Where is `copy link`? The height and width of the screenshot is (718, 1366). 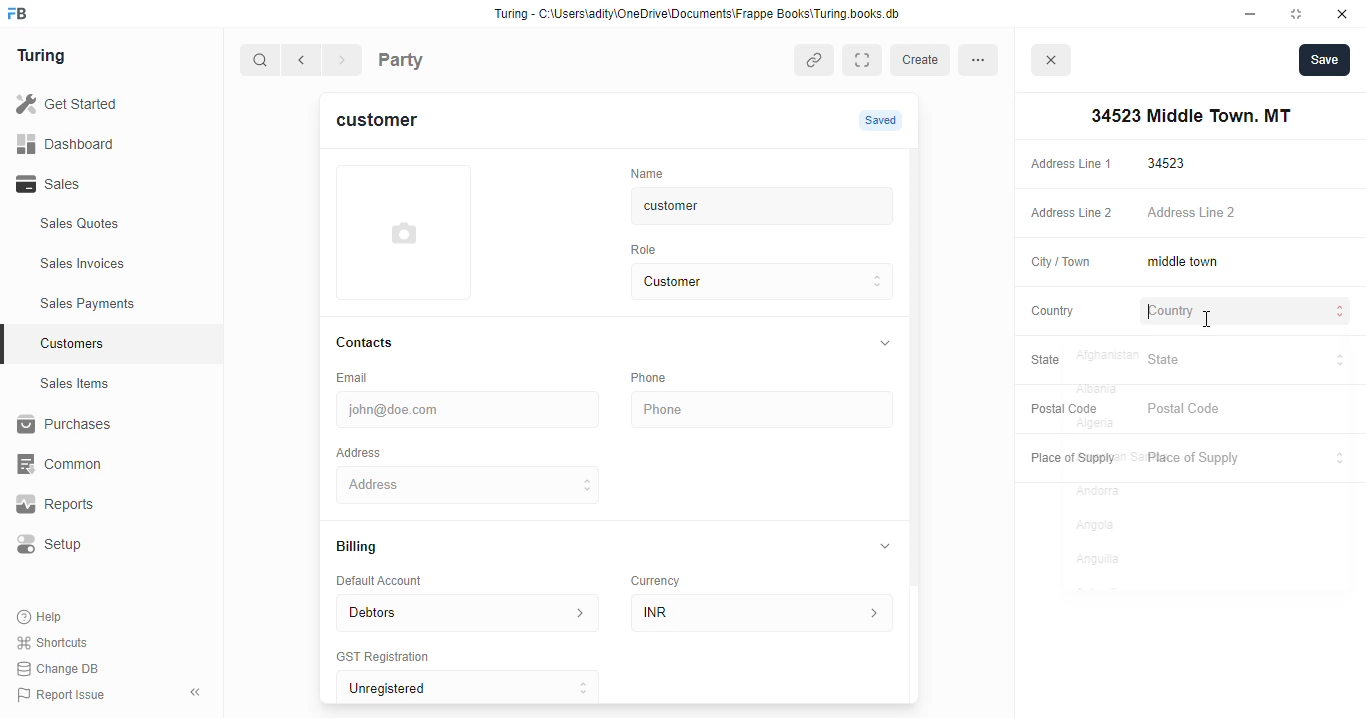
copy link is located at coordinates (816, 62).